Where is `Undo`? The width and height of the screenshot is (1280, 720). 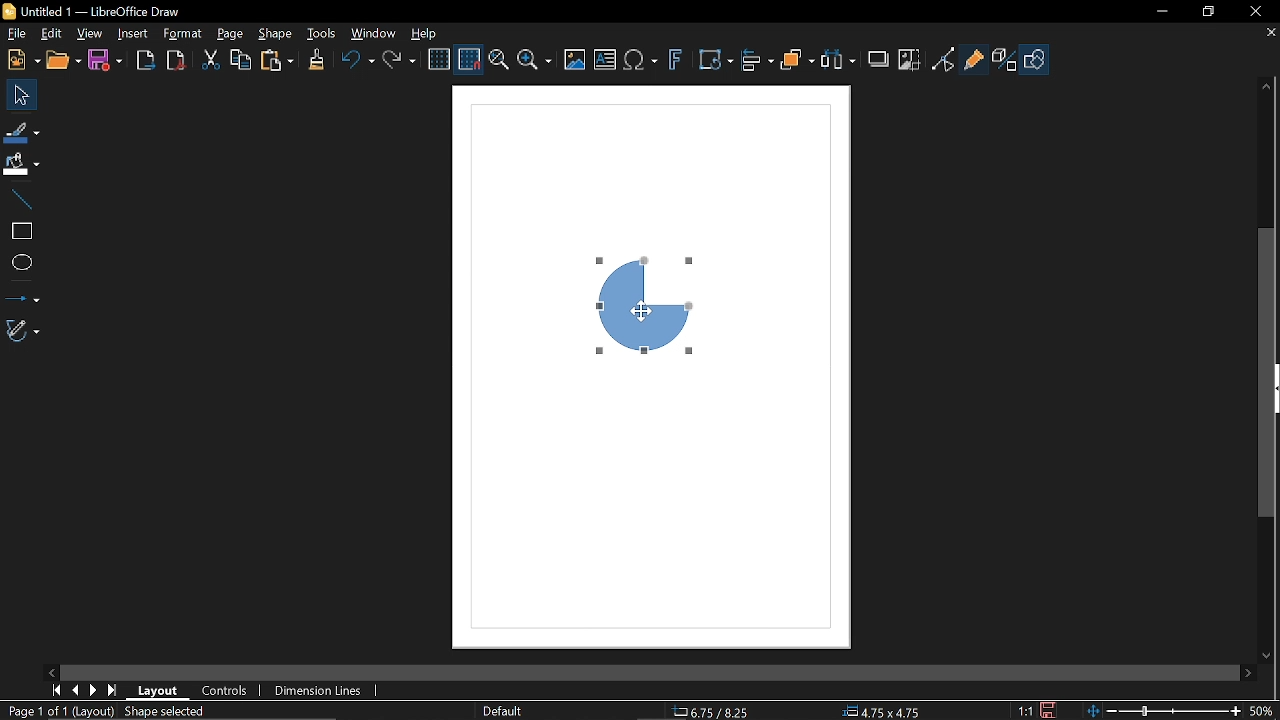
Undo is located at coordinates (355, 61).